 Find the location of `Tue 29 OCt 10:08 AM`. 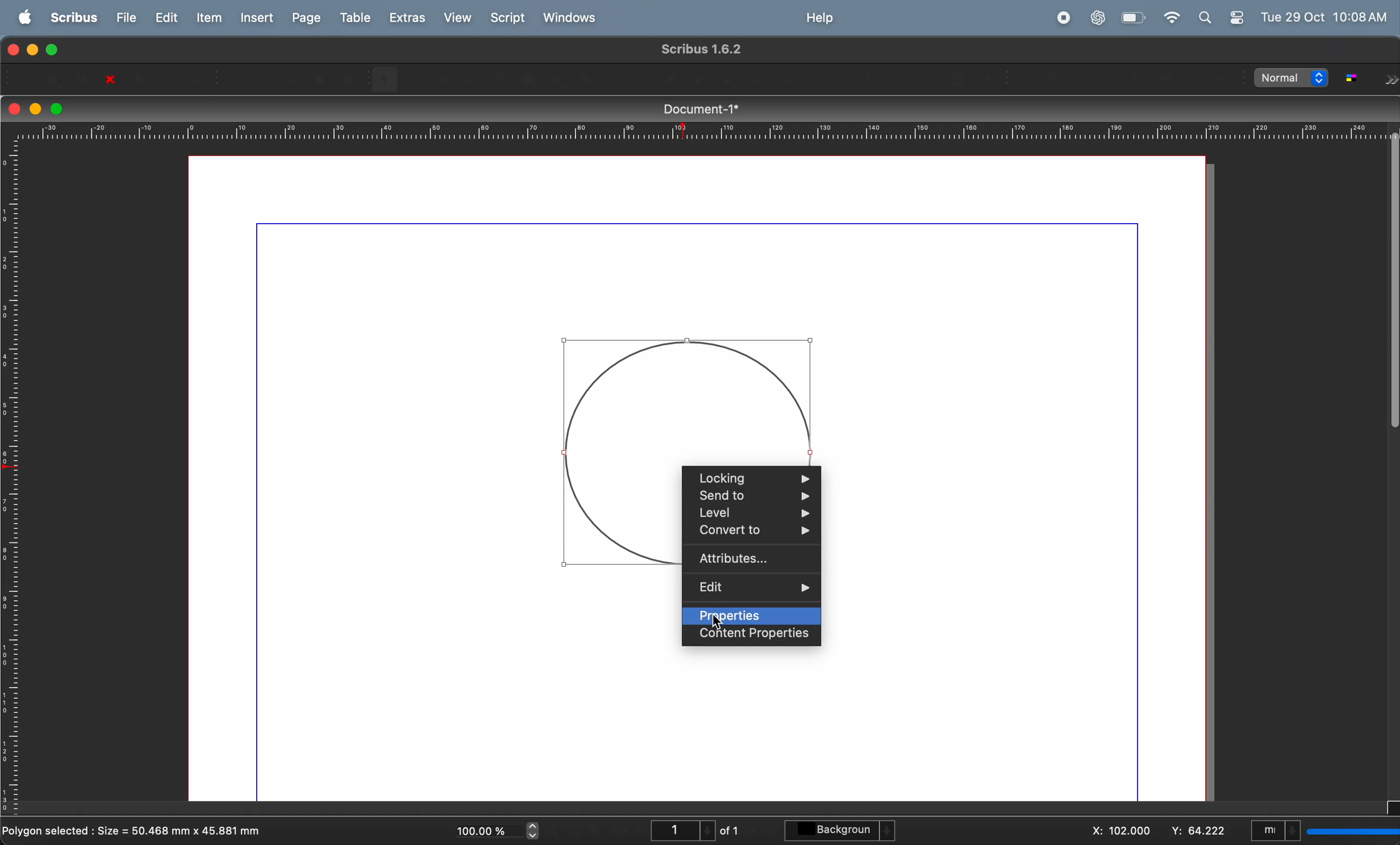

Tue 29 OCt 10:08 AM is located at coordinates (1327, 16).